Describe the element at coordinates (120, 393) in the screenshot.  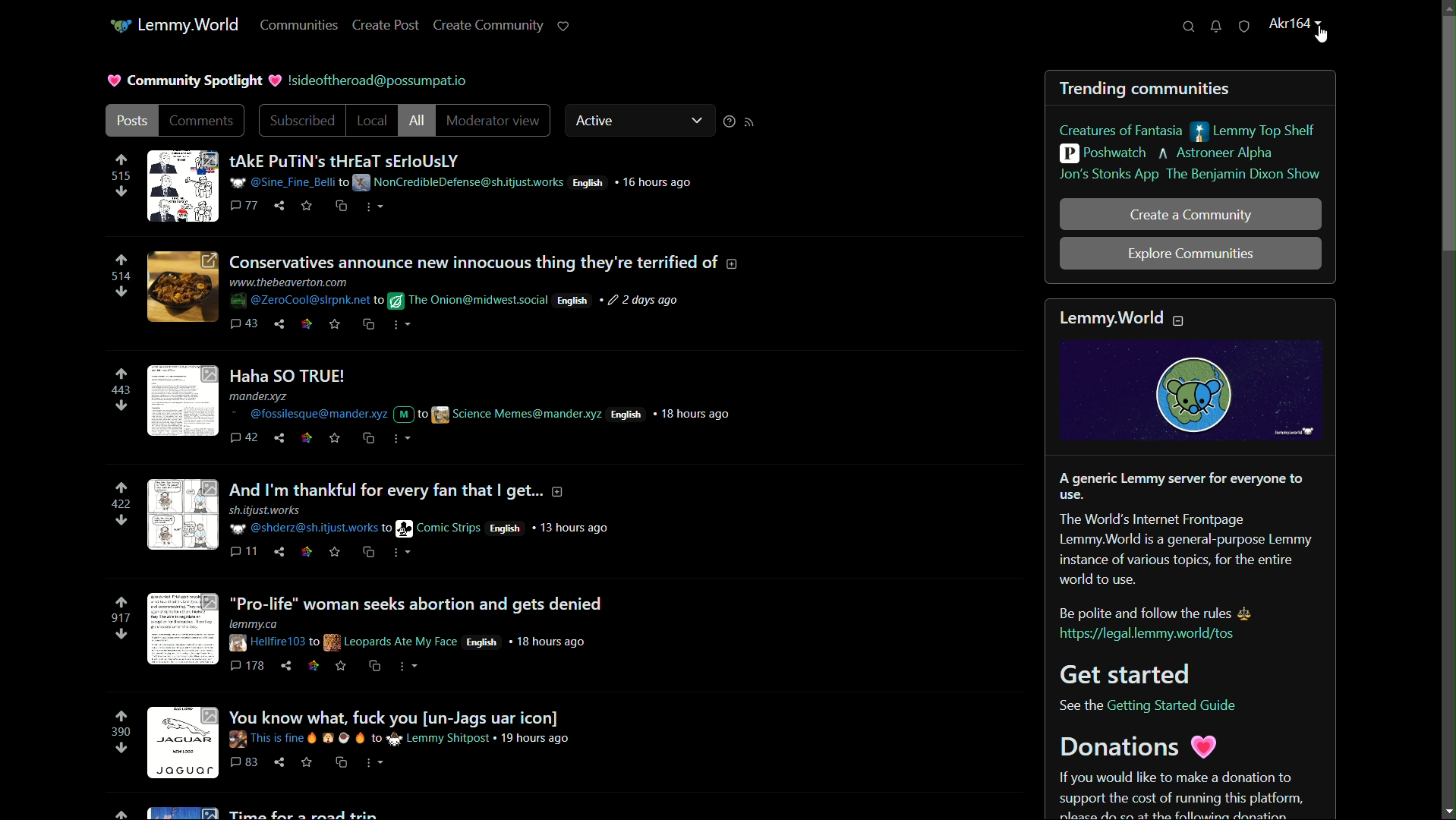
I see `number of votes` at that location.